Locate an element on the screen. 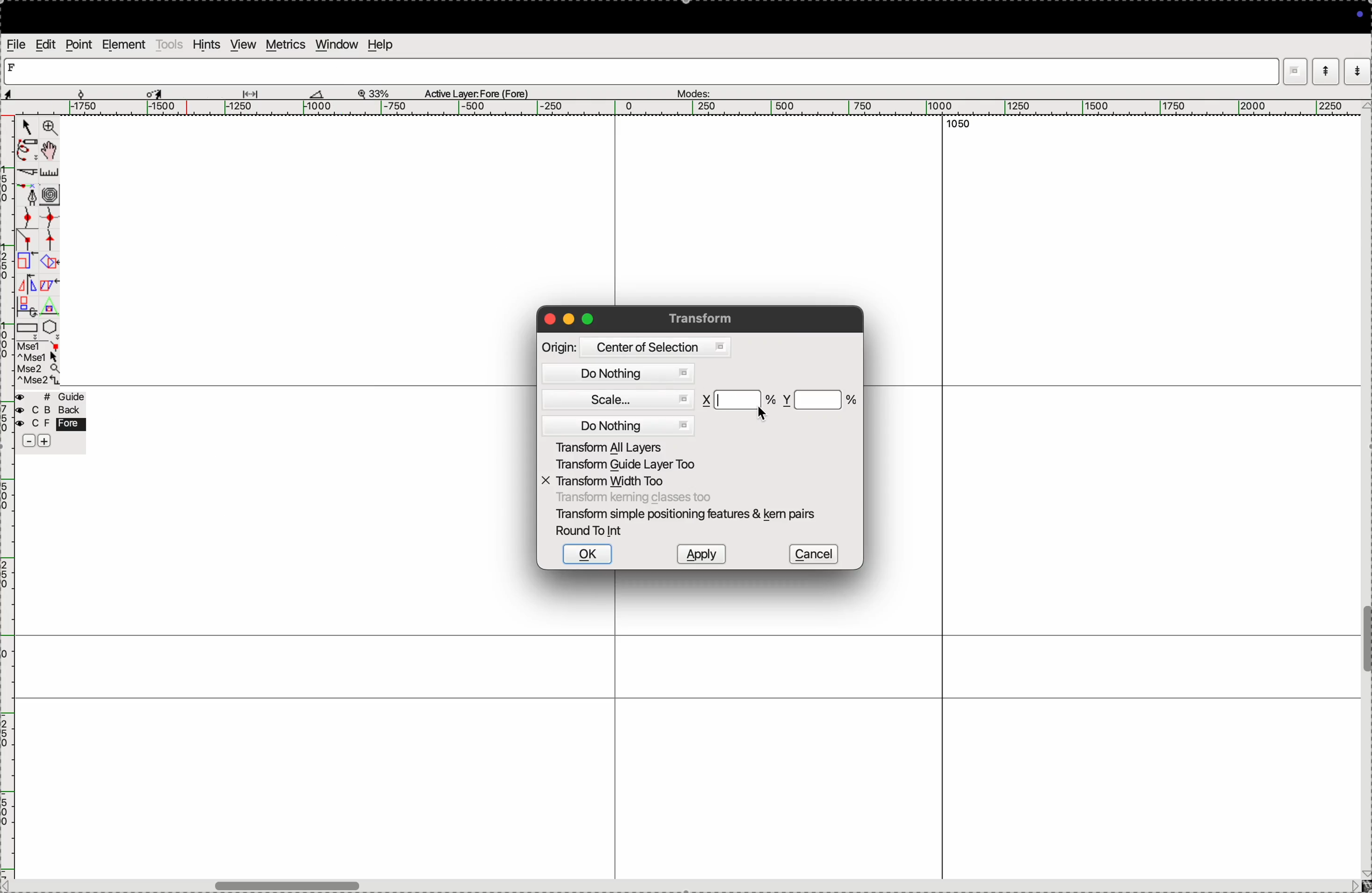  pen is located at coordinates (25, 152).